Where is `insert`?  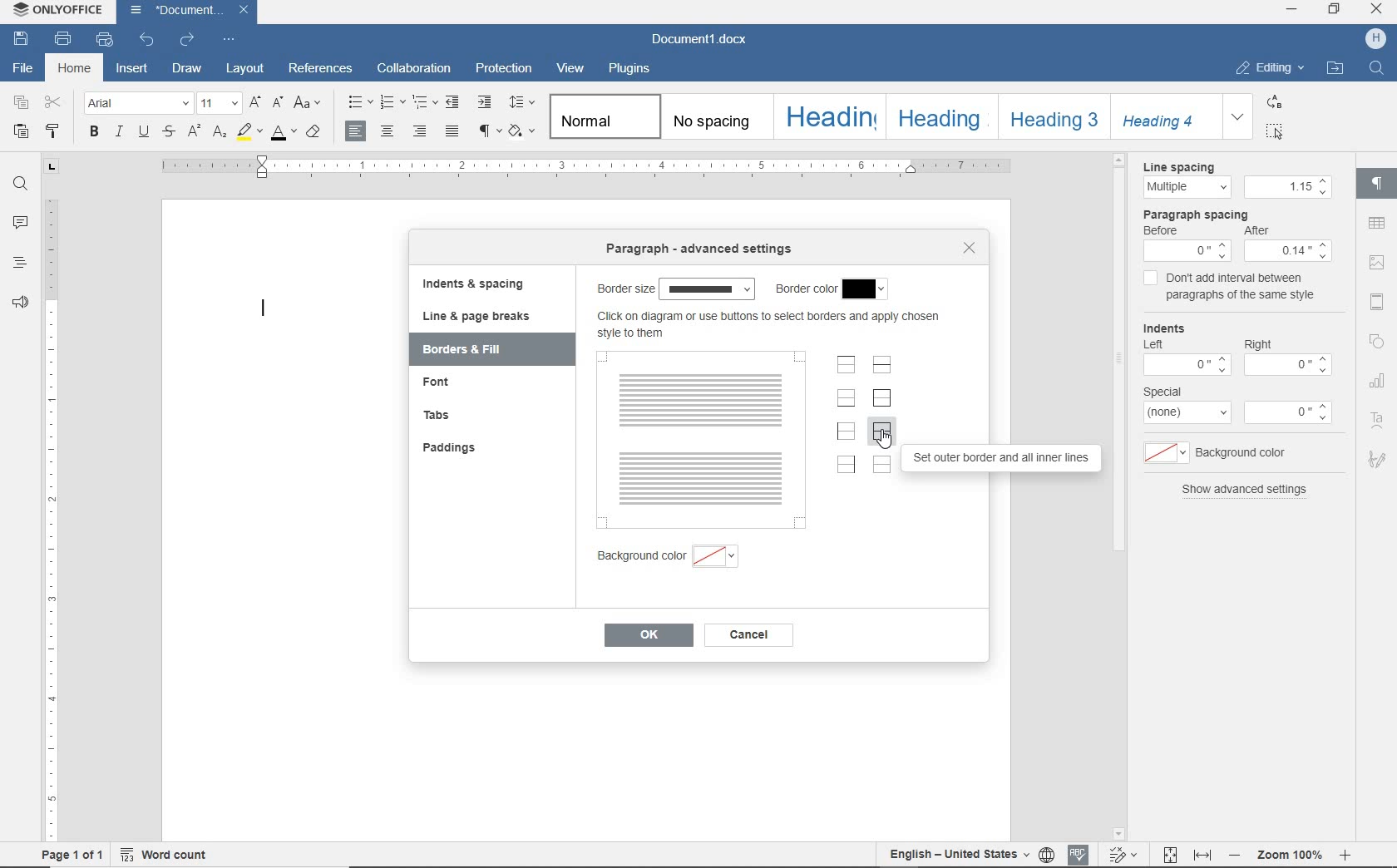 insert is located at coordinates (133, 69).